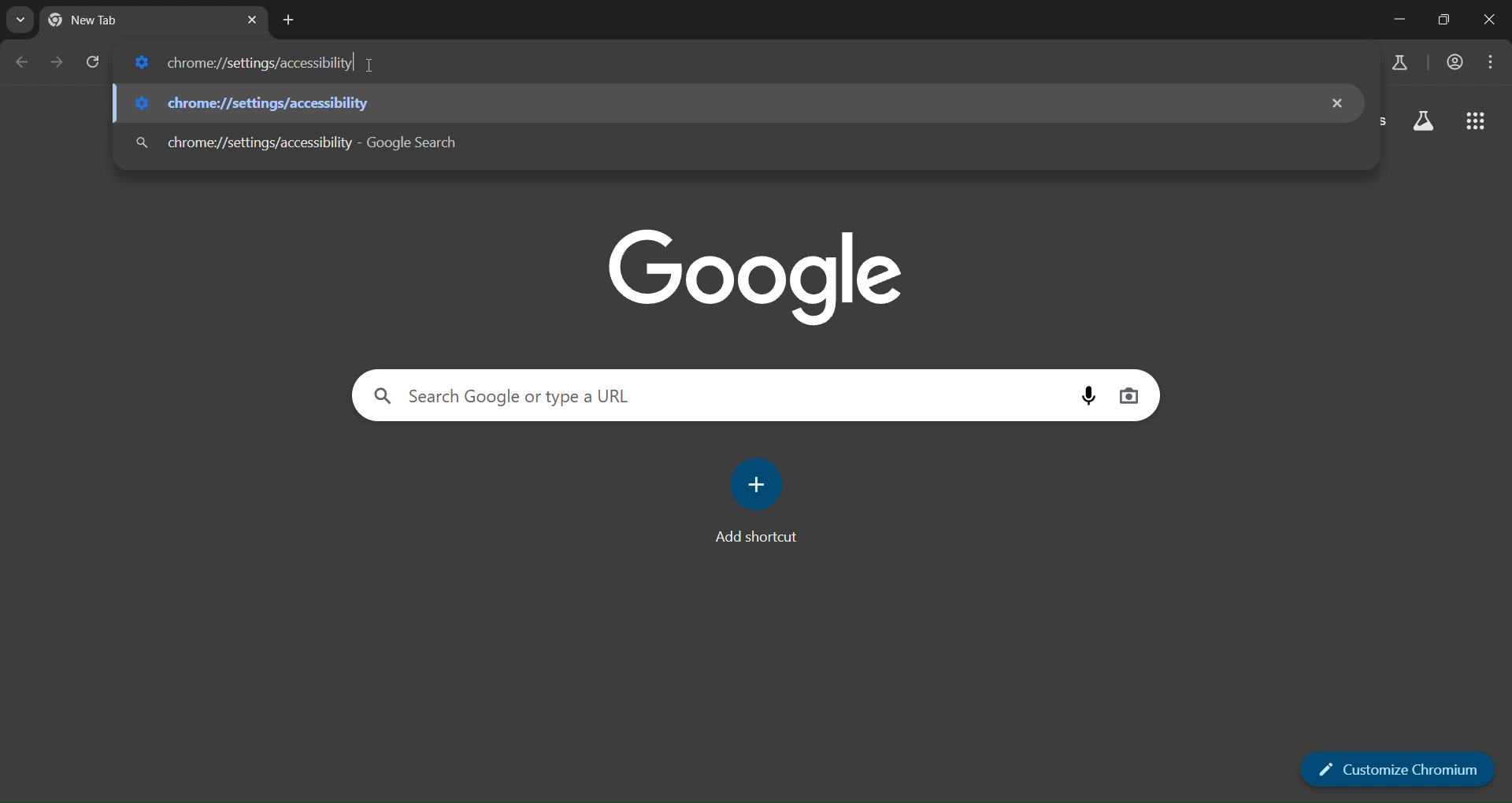 The width and height of the screenshot is (1512, 803). Describe the element at coordinates (1477, 123) in the screenshot. I see `google apps` at that location.